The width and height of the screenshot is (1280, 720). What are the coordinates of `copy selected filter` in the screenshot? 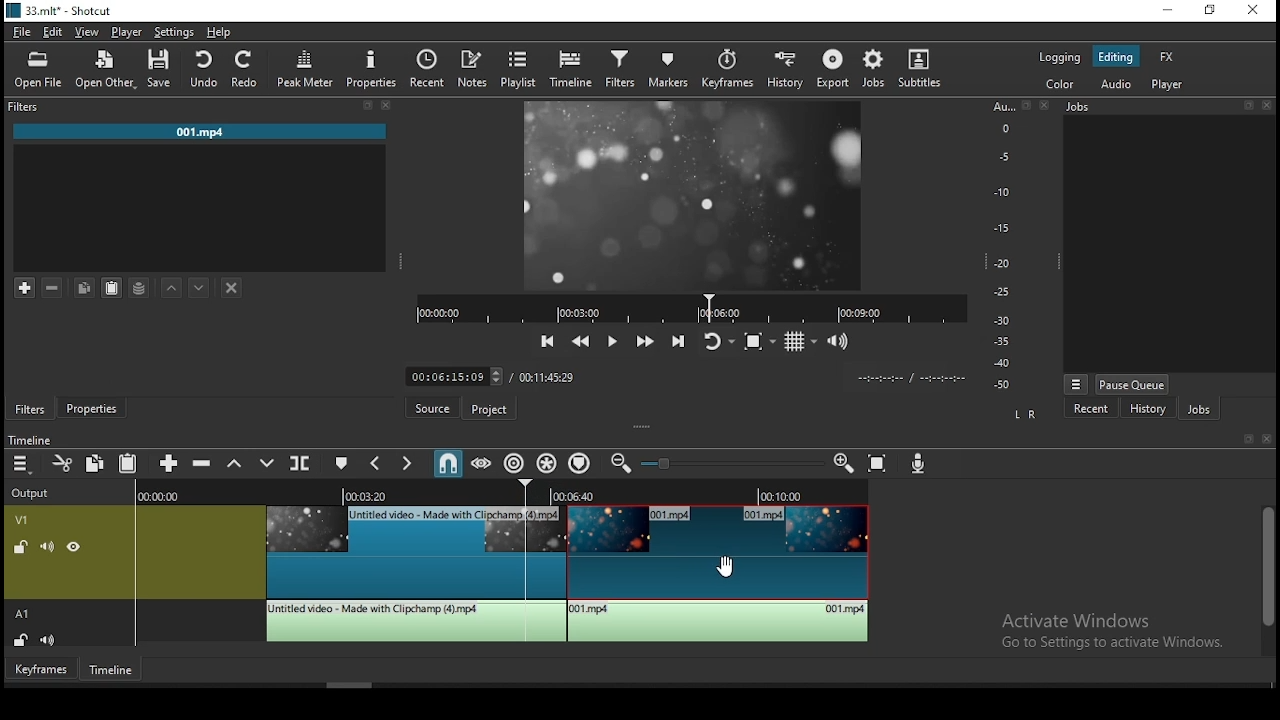 It's located at (85, 286).